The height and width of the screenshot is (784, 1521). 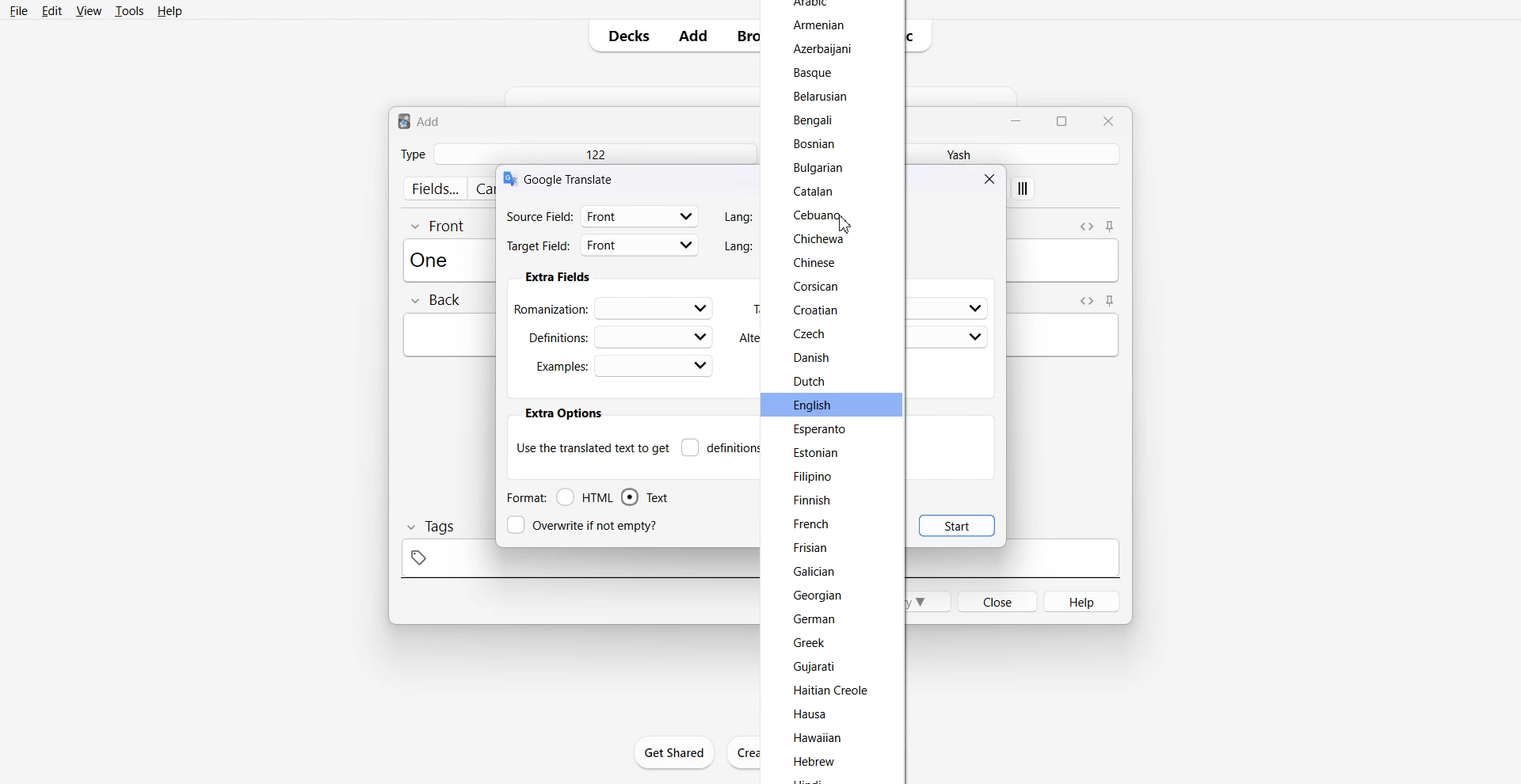 What do you see at coordinates (812, 477) in the screenshot?
I see `Filipino` at bounding box center [812, 477].